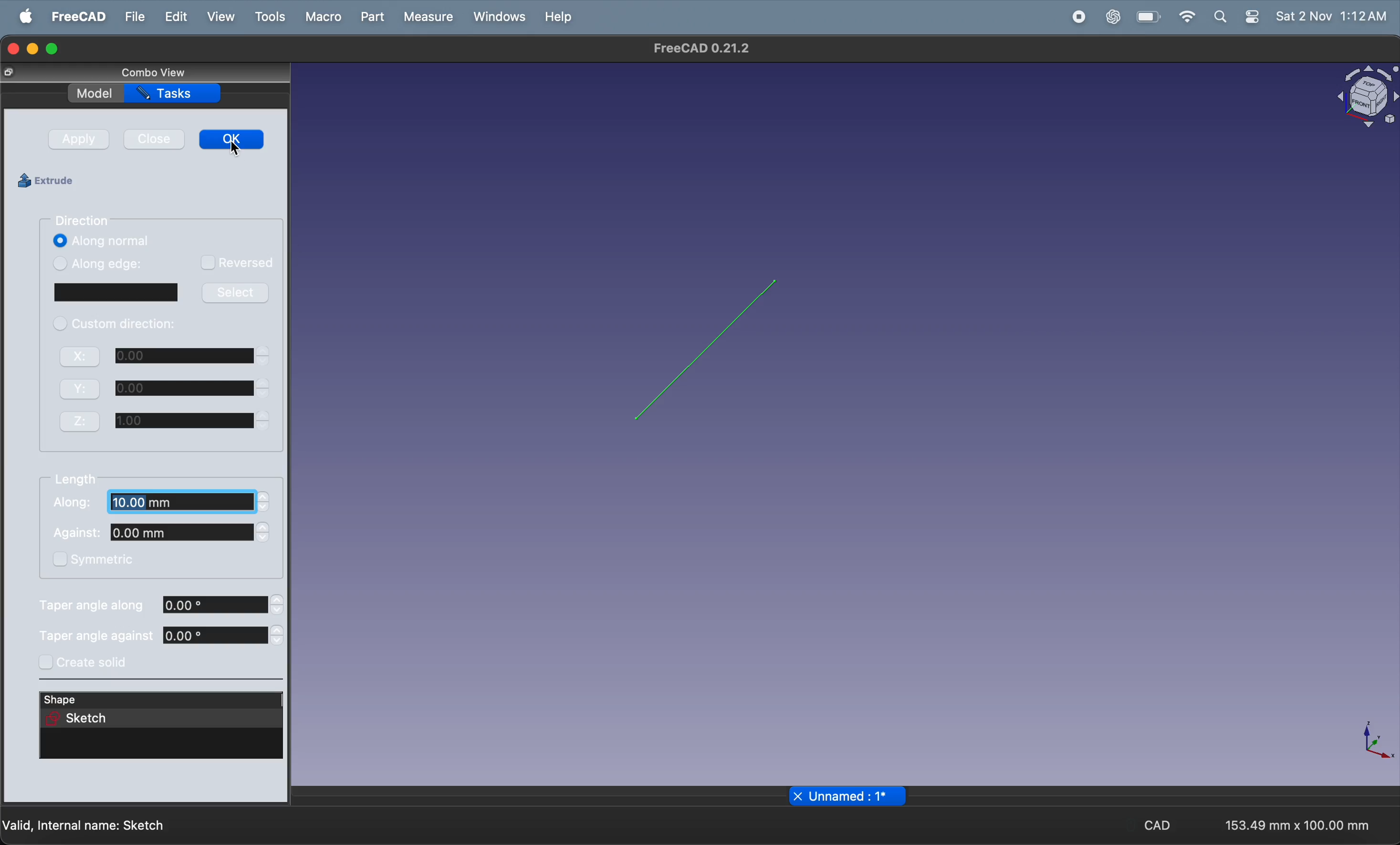 The height and width of the screenshot is (845, 1400). Describe the element at coordinates (1362, 742) in the screenshot. I see `axis` at that location.